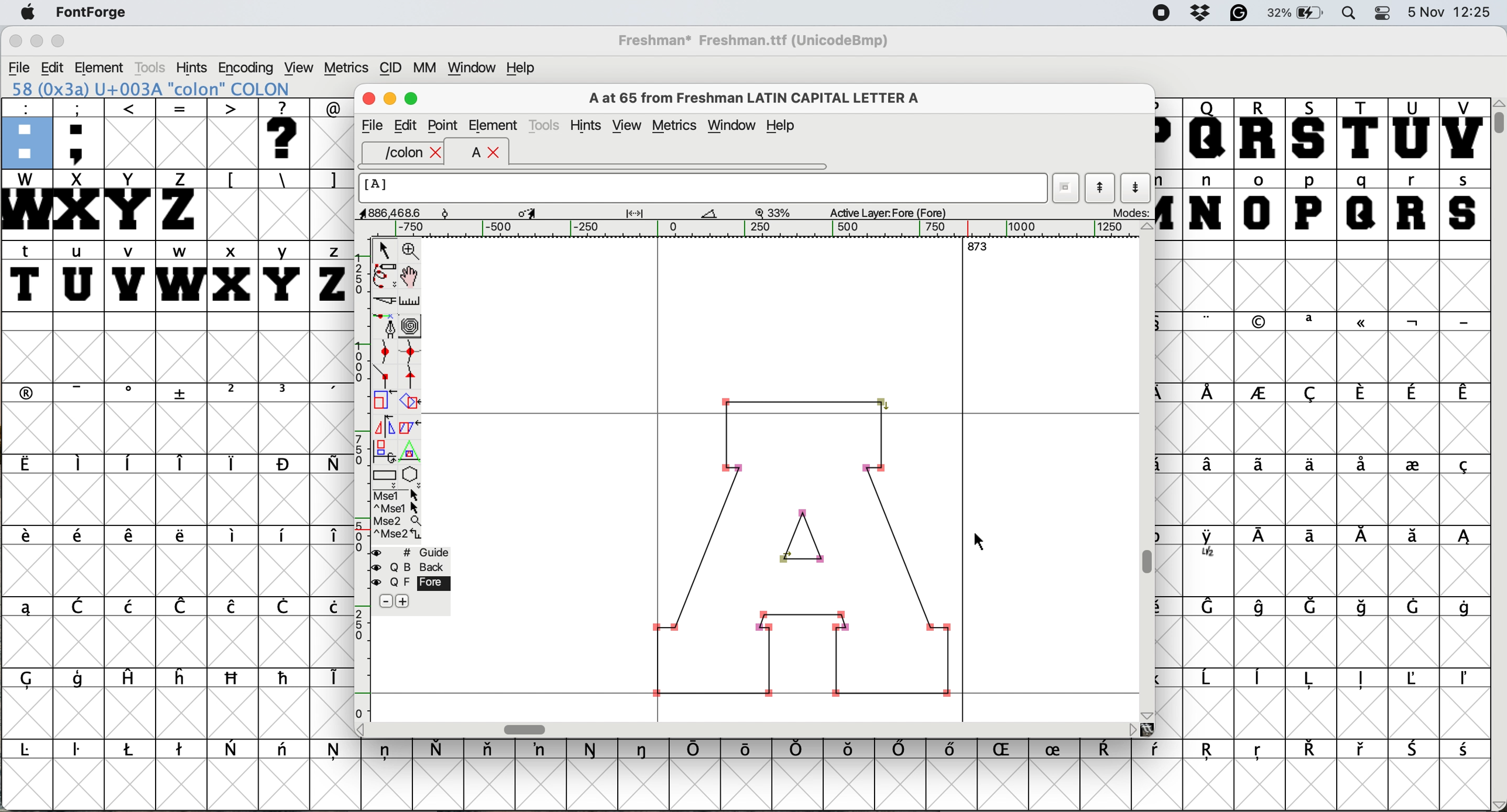 The width and height of the screenshot is (1507, 812). I want to click on v, so click(129, 276).